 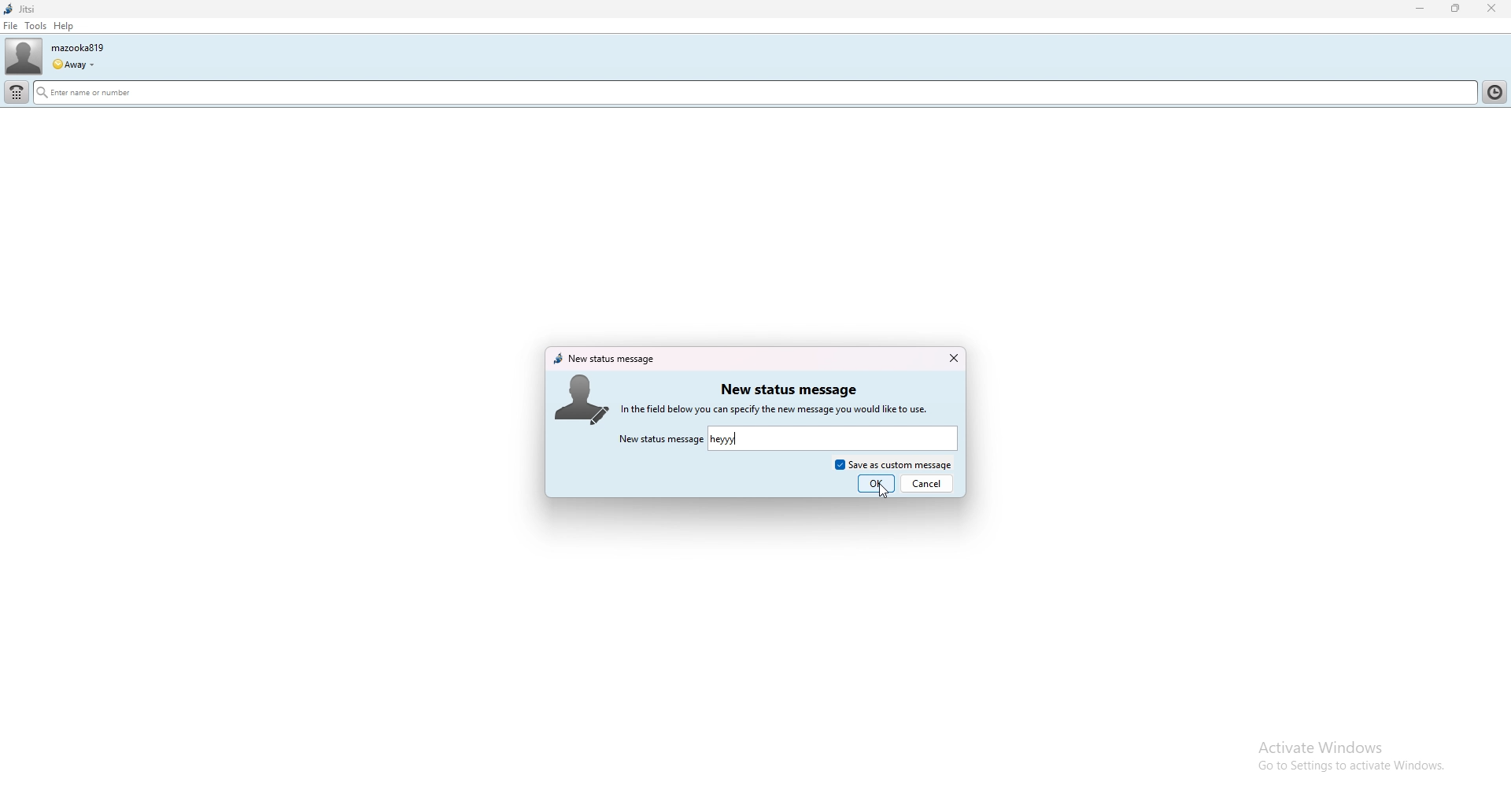 I want to click on dialpad, so click(x=17, y=93).